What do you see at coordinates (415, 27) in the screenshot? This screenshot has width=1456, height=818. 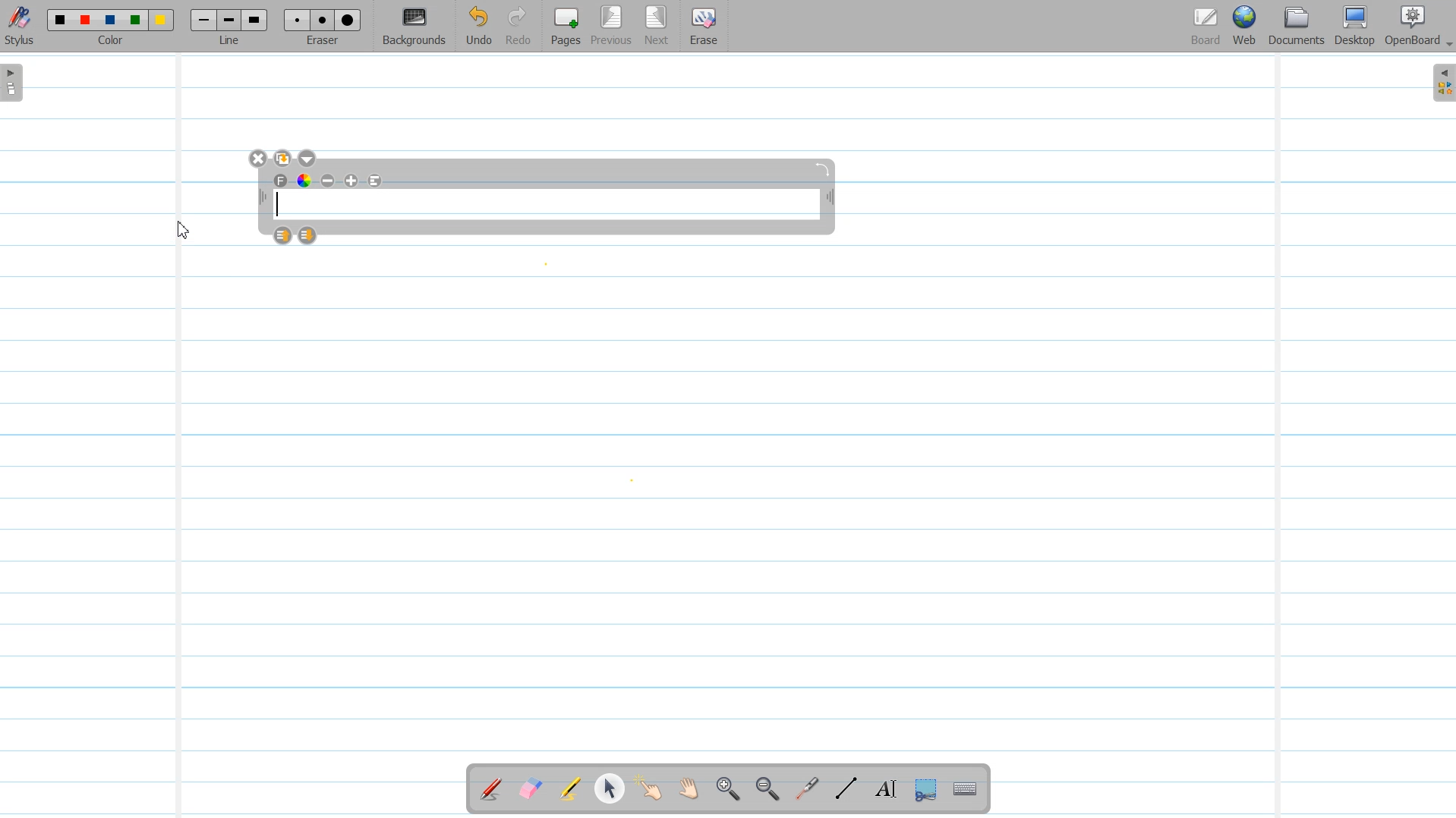 I see `Background` at bounding box center [415, 27].